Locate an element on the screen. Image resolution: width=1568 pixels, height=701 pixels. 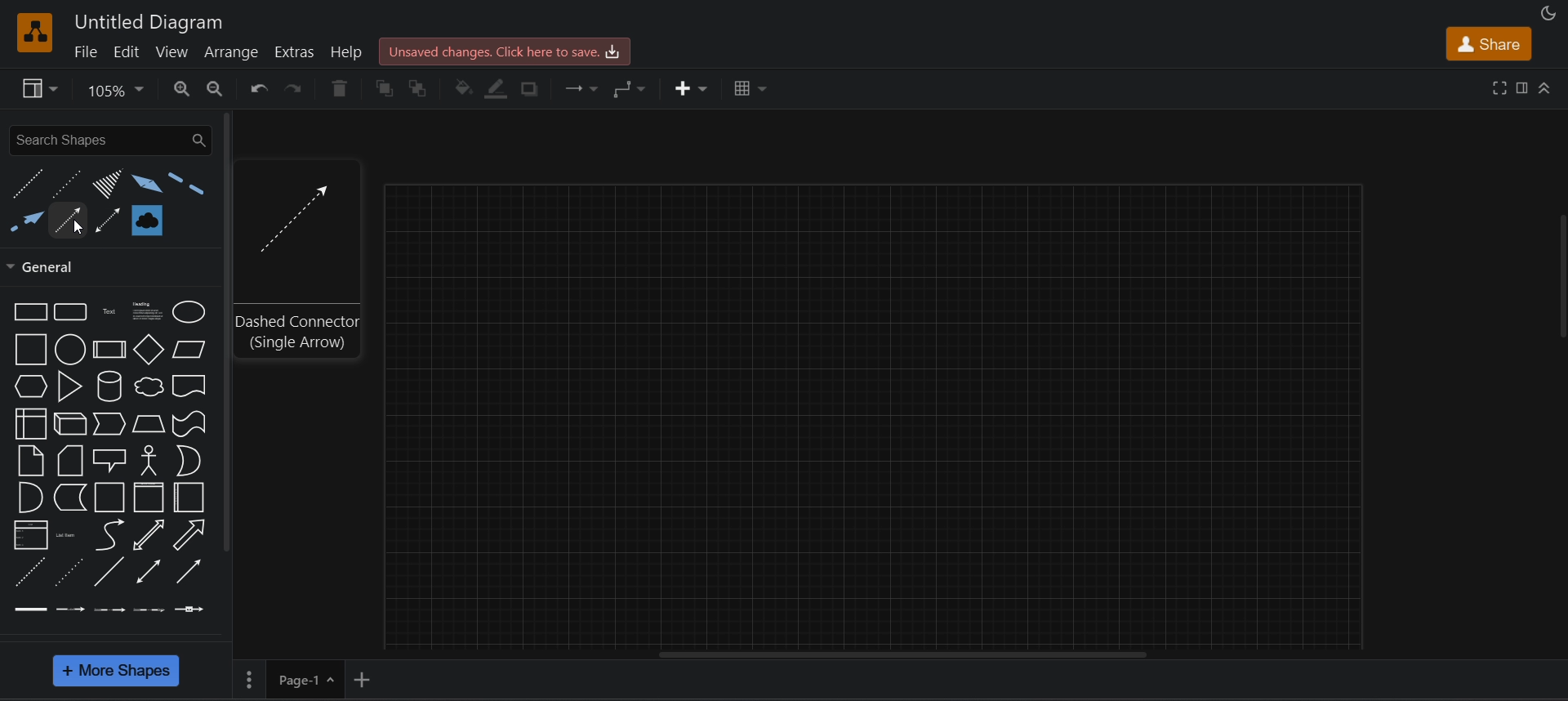
table is located at coordinates (748, 87).